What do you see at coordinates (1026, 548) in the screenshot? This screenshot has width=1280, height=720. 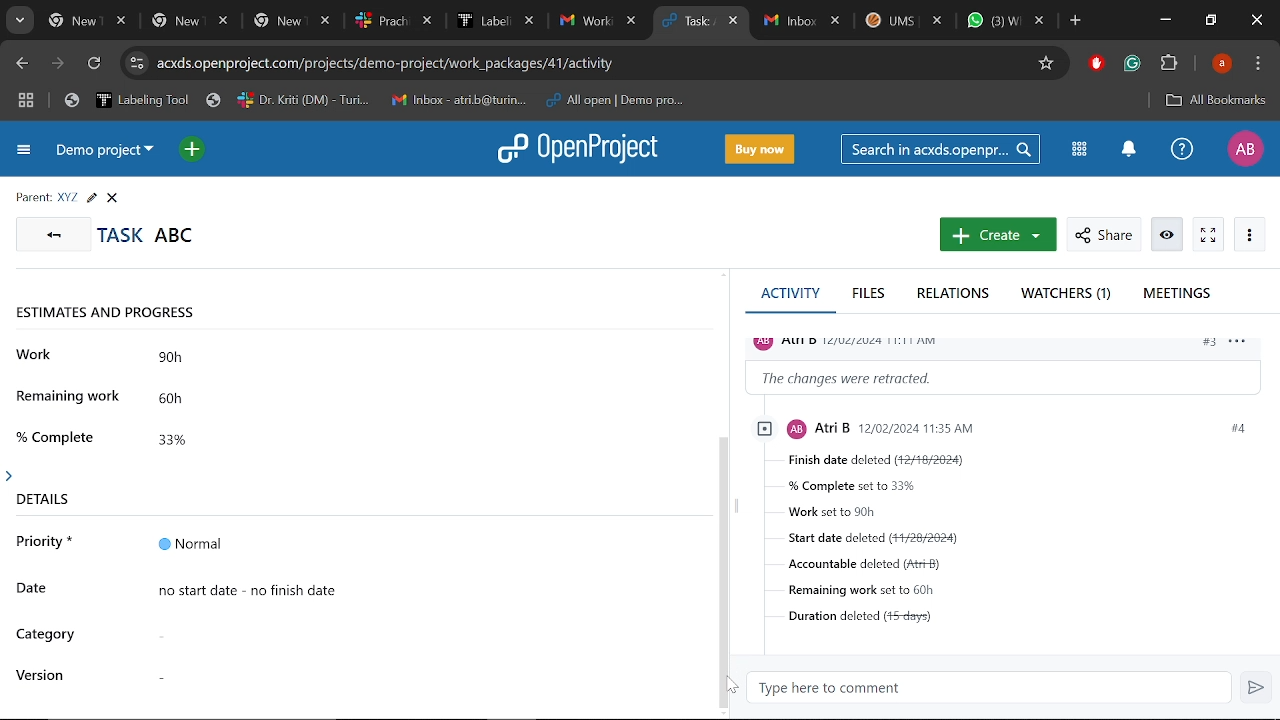 I see `Task details` at bounding box center [1026, 548].